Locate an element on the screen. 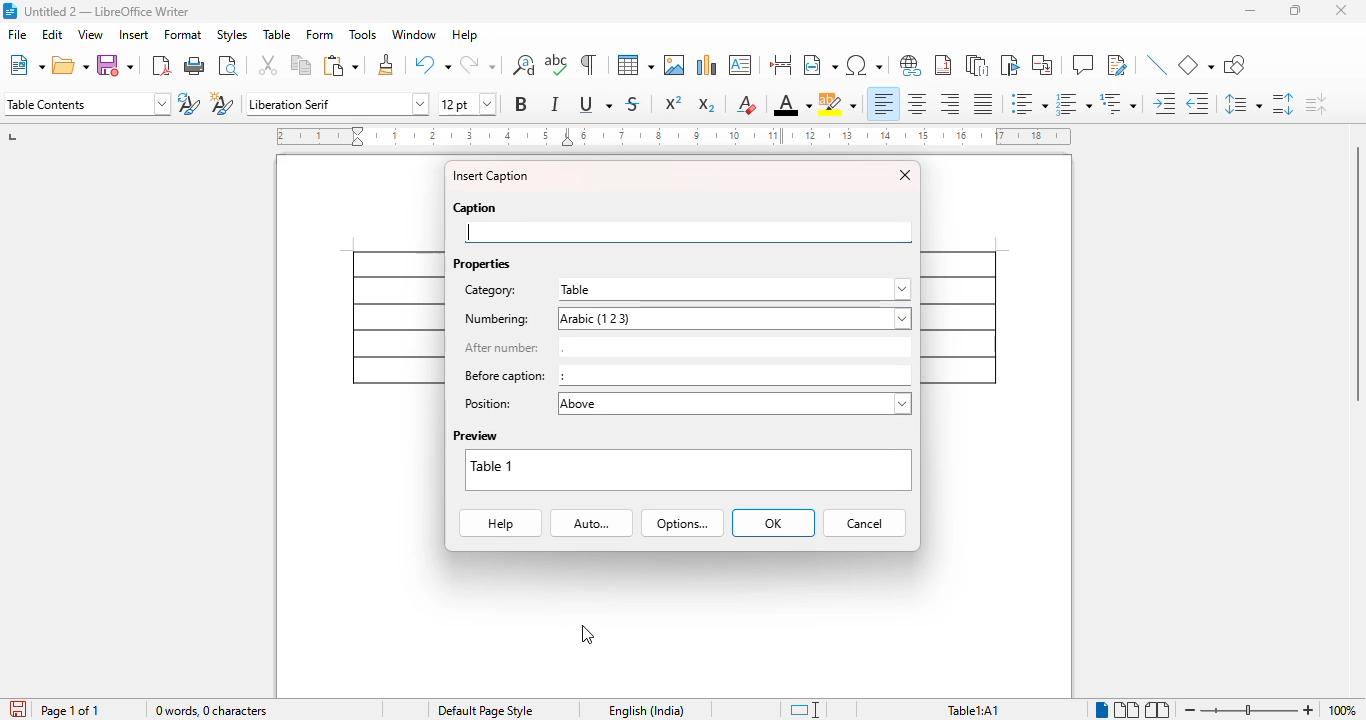  single-page view is located at coordinates (1103, 710).